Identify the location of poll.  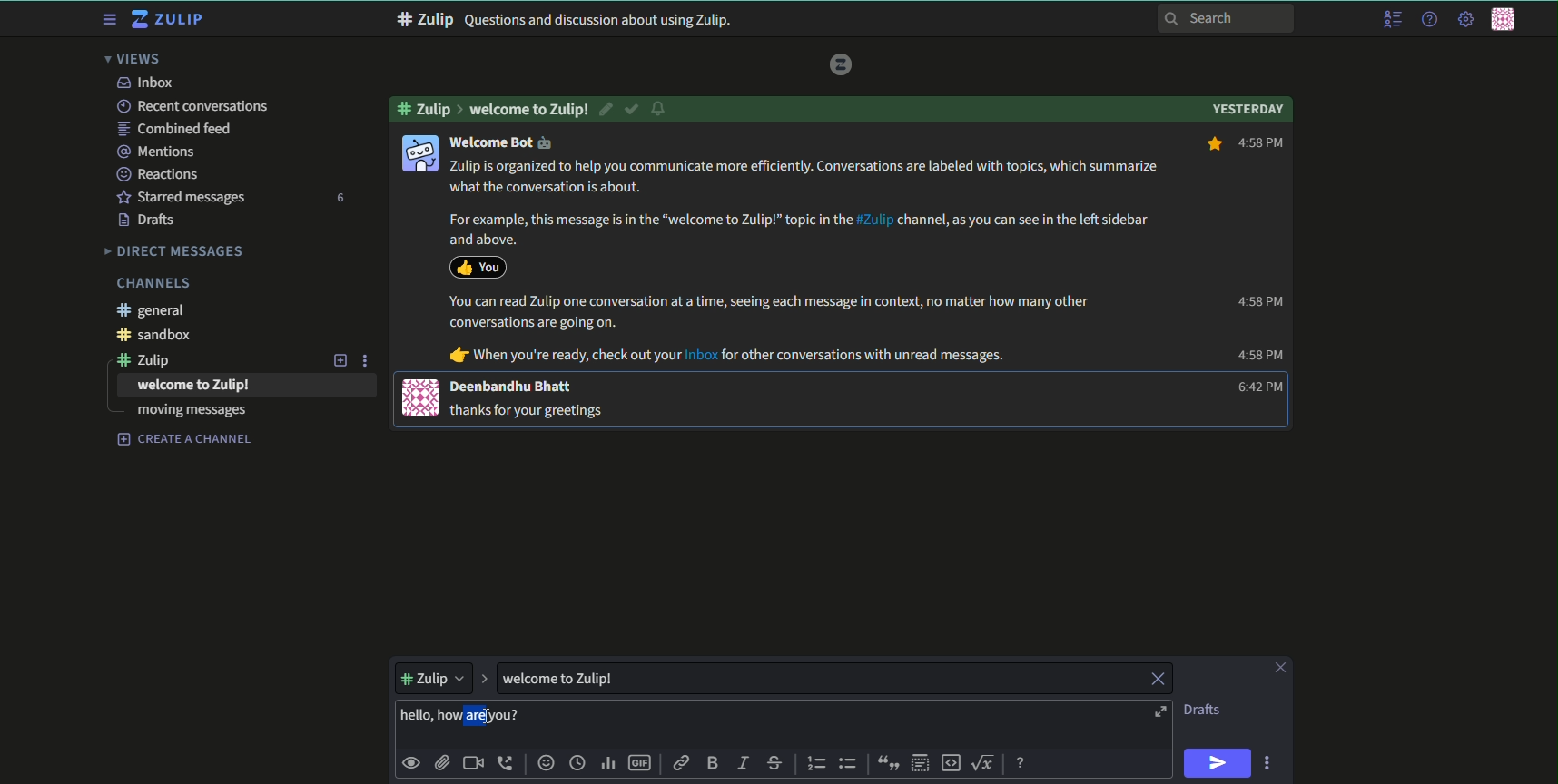
(610, 765).